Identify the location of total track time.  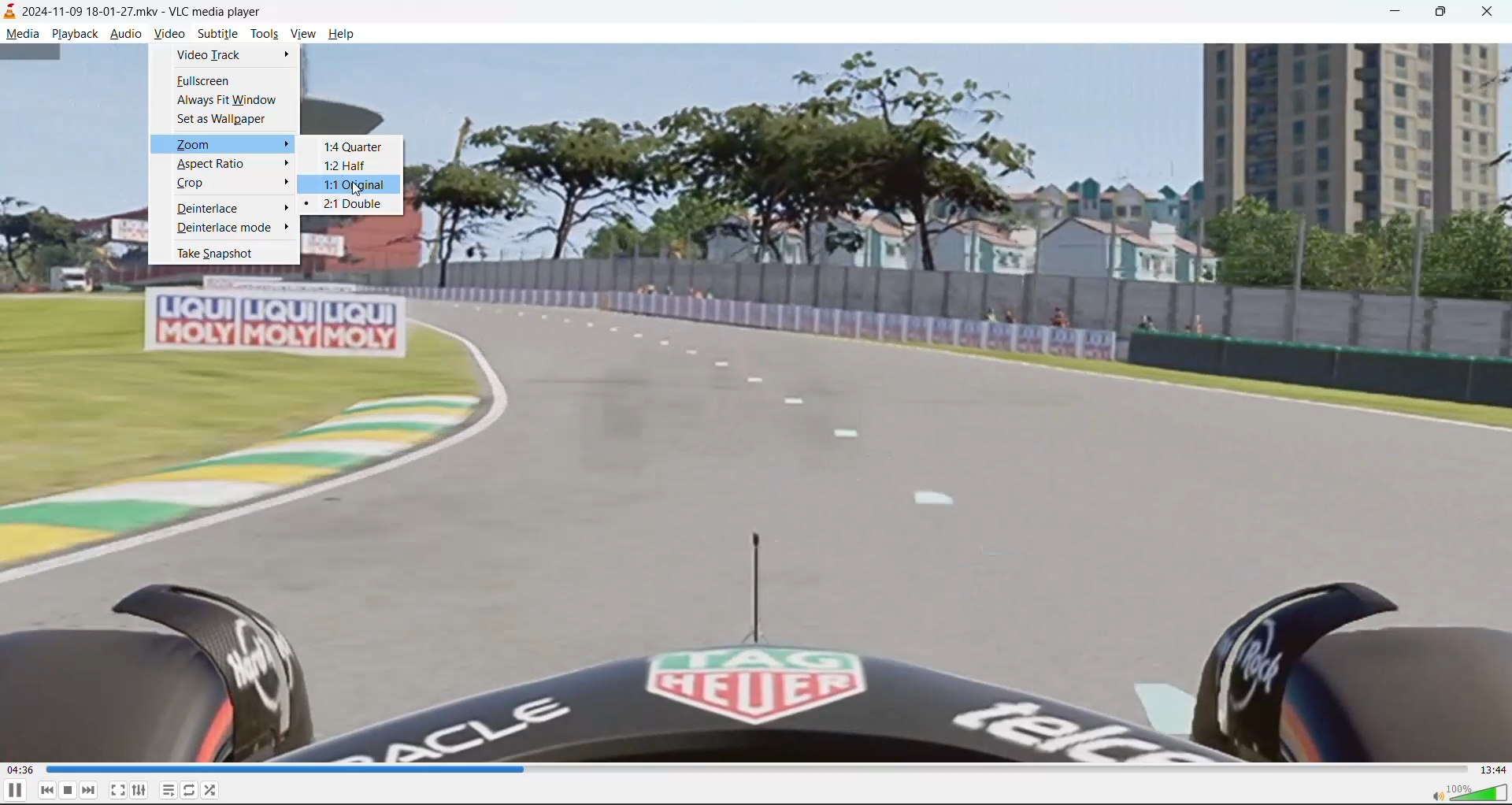
(1494, 770).